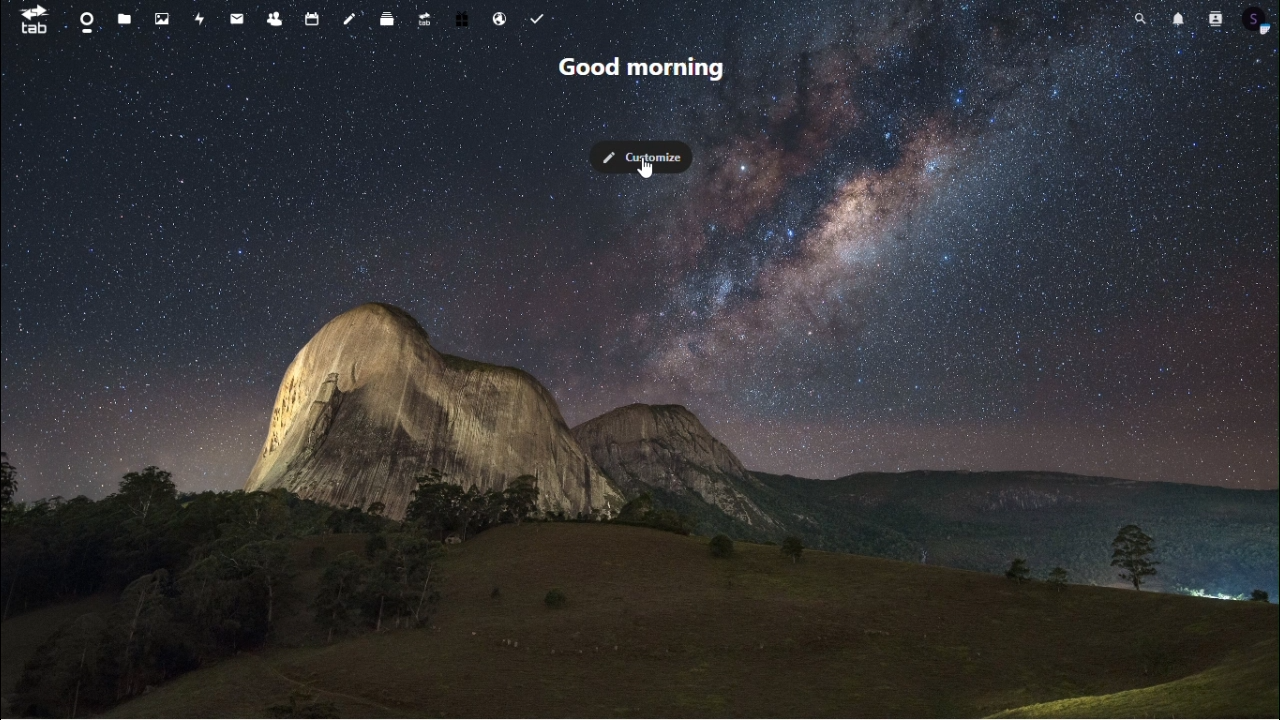 Image resolution: width=1280 pixels, height=720 pixels. Describe the element at coordinates (85, 23) in the screenshot. I see `dashboard` at that location.